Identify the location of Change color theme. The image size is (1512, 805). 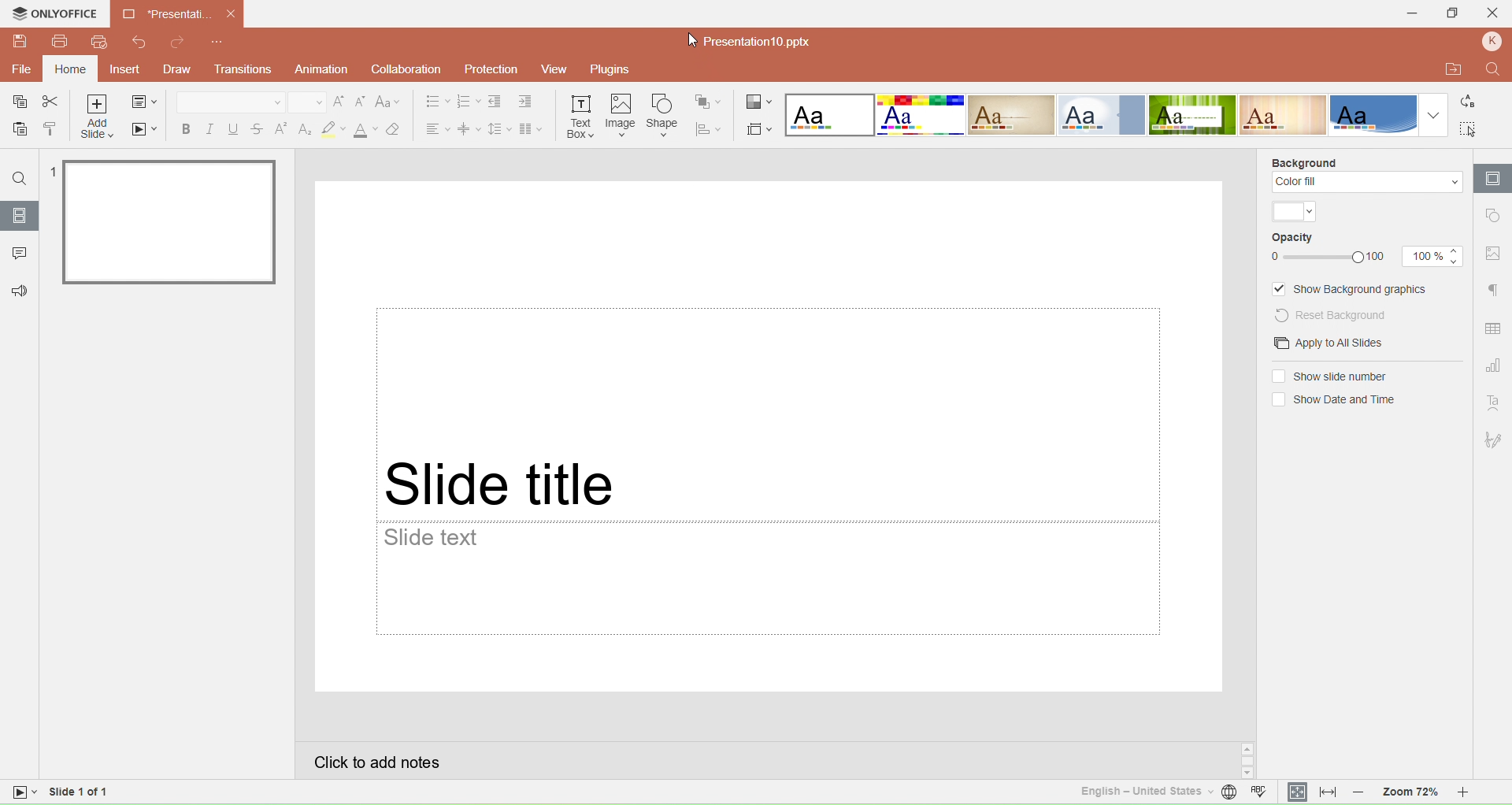
(759, 100).